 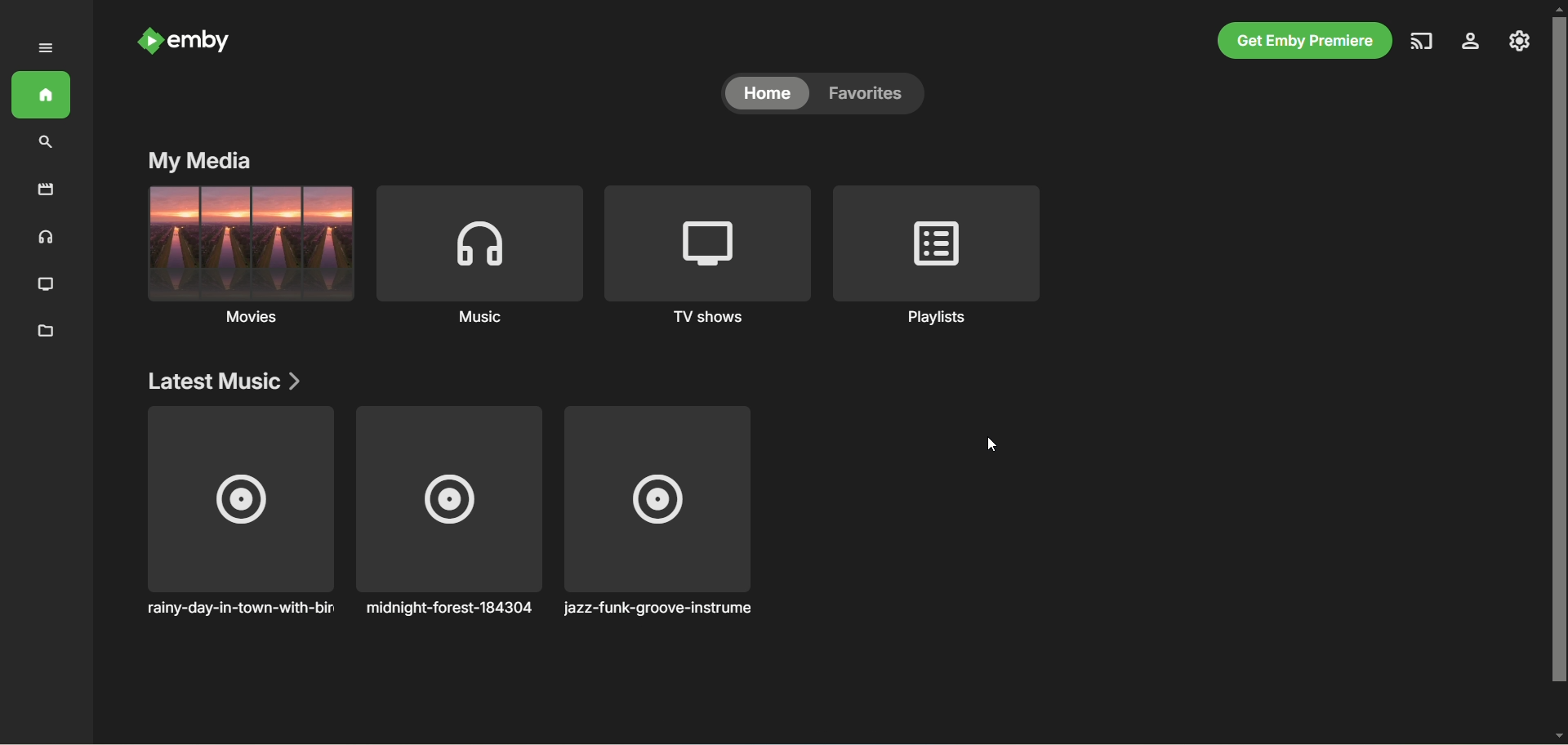 I want to click on music, so click(x=46, y=239).